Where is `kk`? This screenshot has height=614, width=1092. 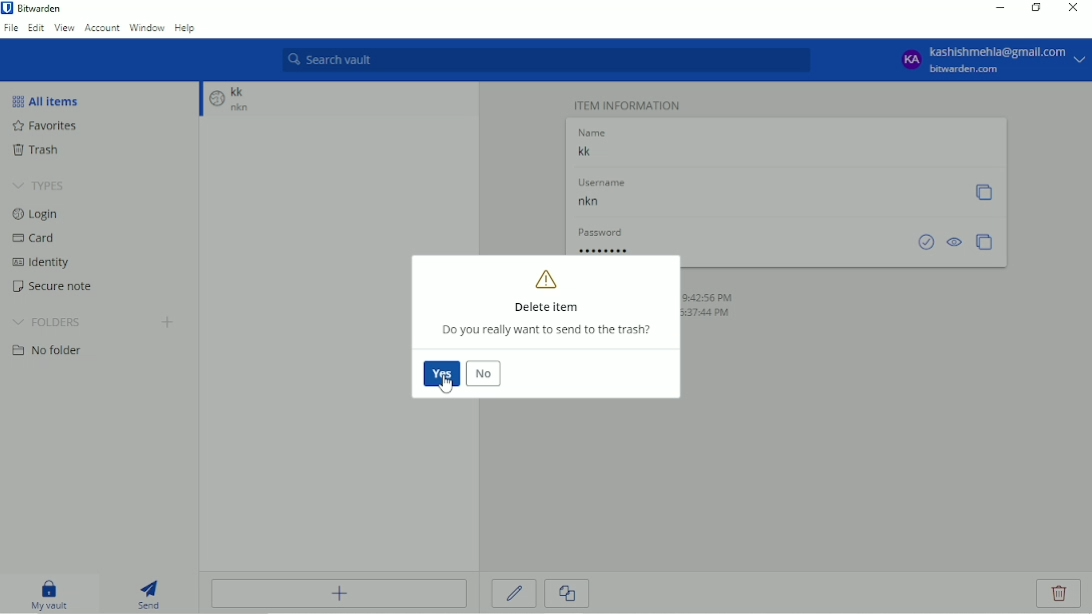 kk is located at coordinates (241, 91).